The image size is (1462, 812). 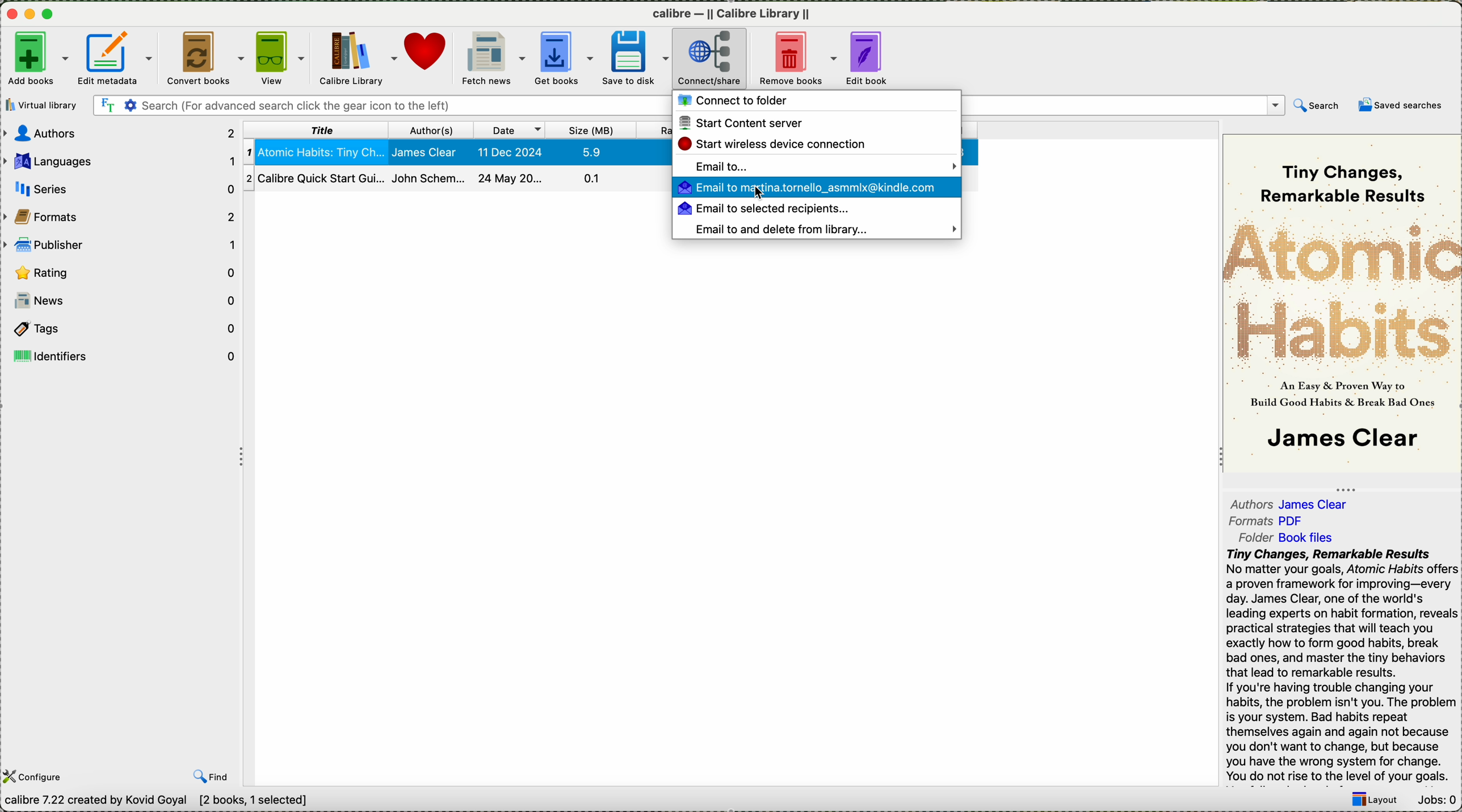 What do you see at coordinates (320, 129) in the screenshot?
I see `title` at bounding box center [320, 129].